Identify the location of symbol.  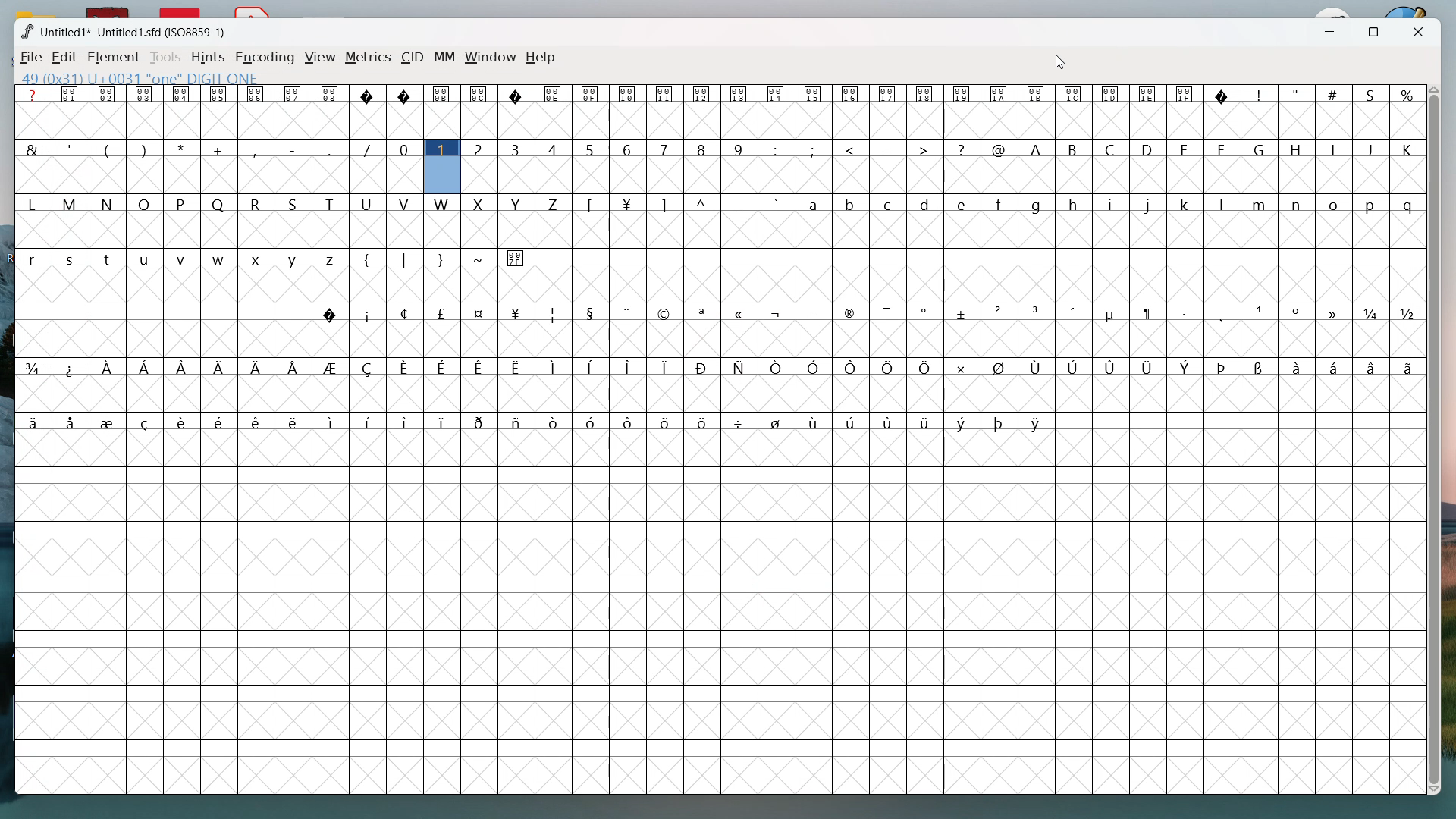
(407, 422).